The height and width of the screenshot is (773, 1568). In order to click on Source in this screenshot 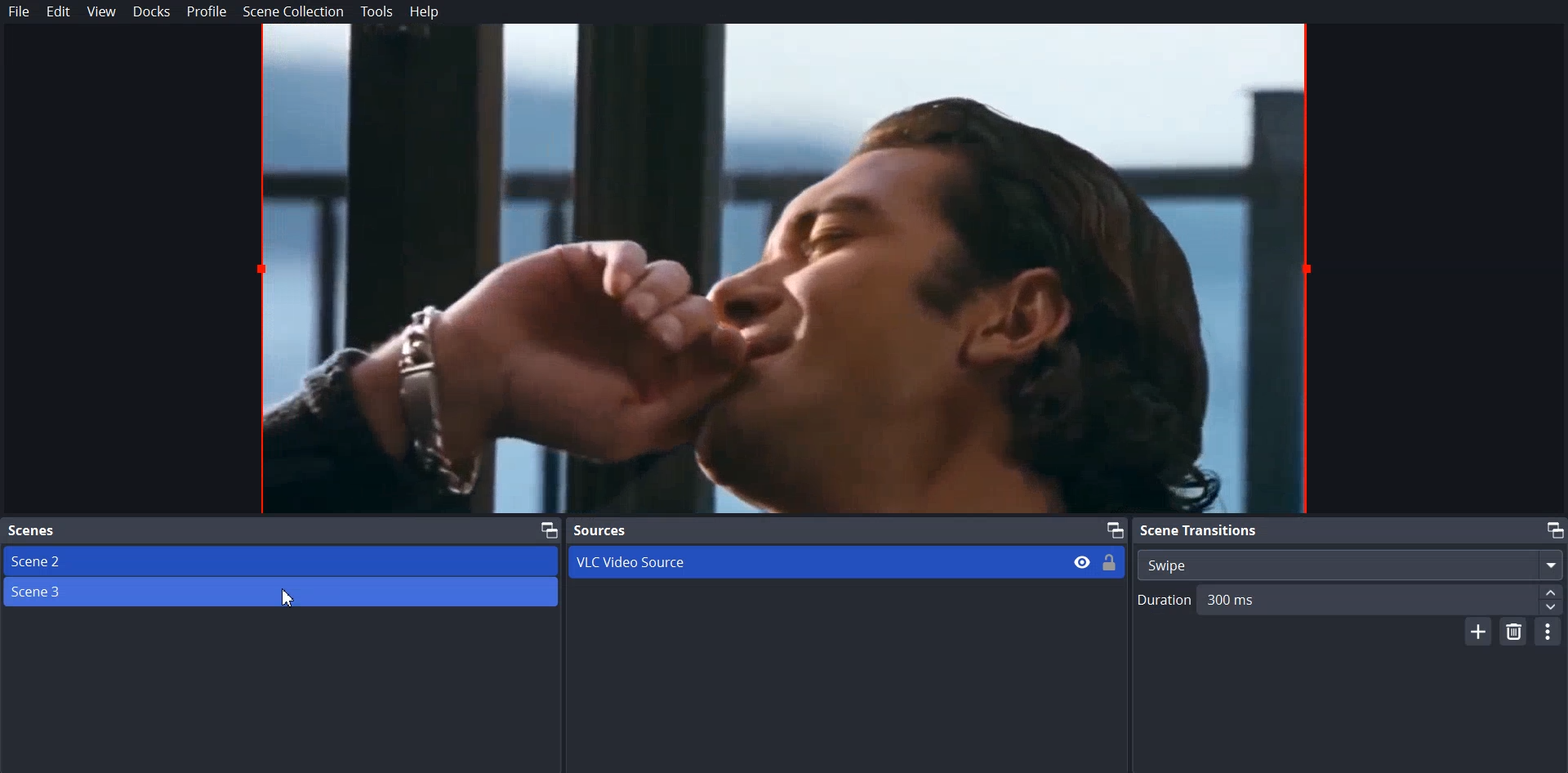, I will do `click(845, 531)`.